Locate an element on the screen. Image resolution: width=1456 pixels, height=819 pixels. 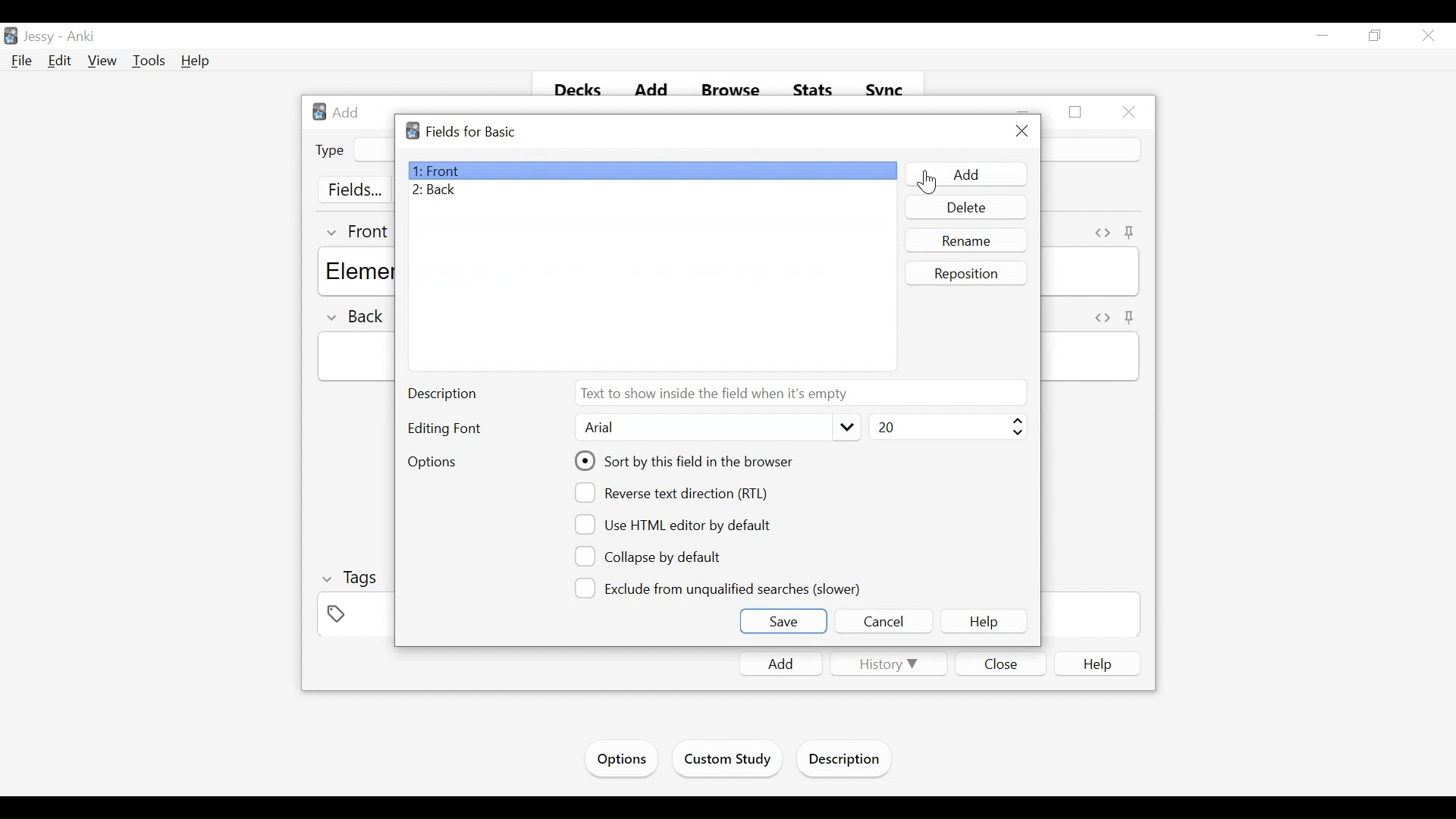
Front is located at coordinates (651, 171).